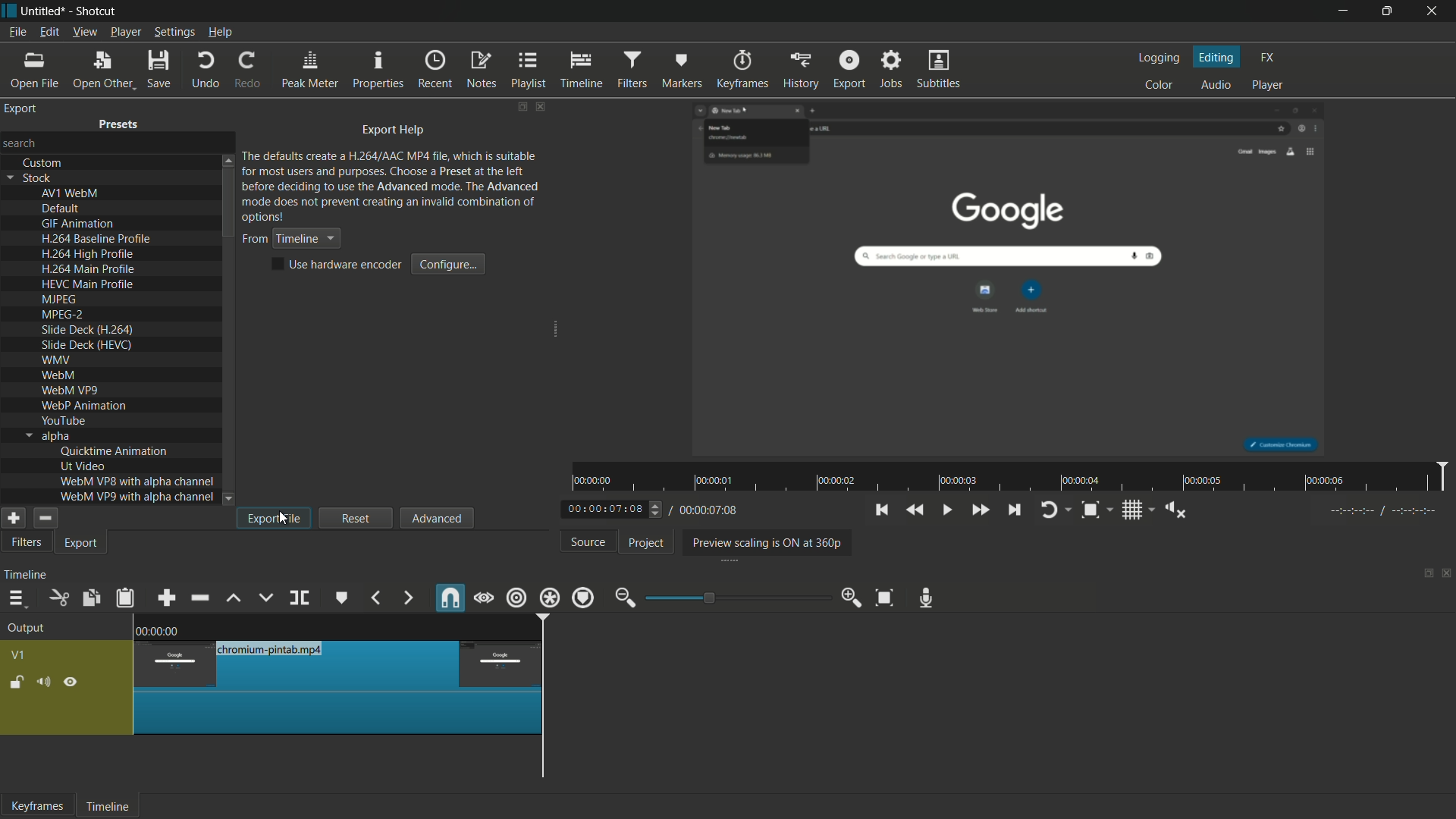 Image resolution: width=1456 pixels, height=819 pixels. Describe the element at coordinates (625, 599) in the screenshot. I see `zoom out` at that location.